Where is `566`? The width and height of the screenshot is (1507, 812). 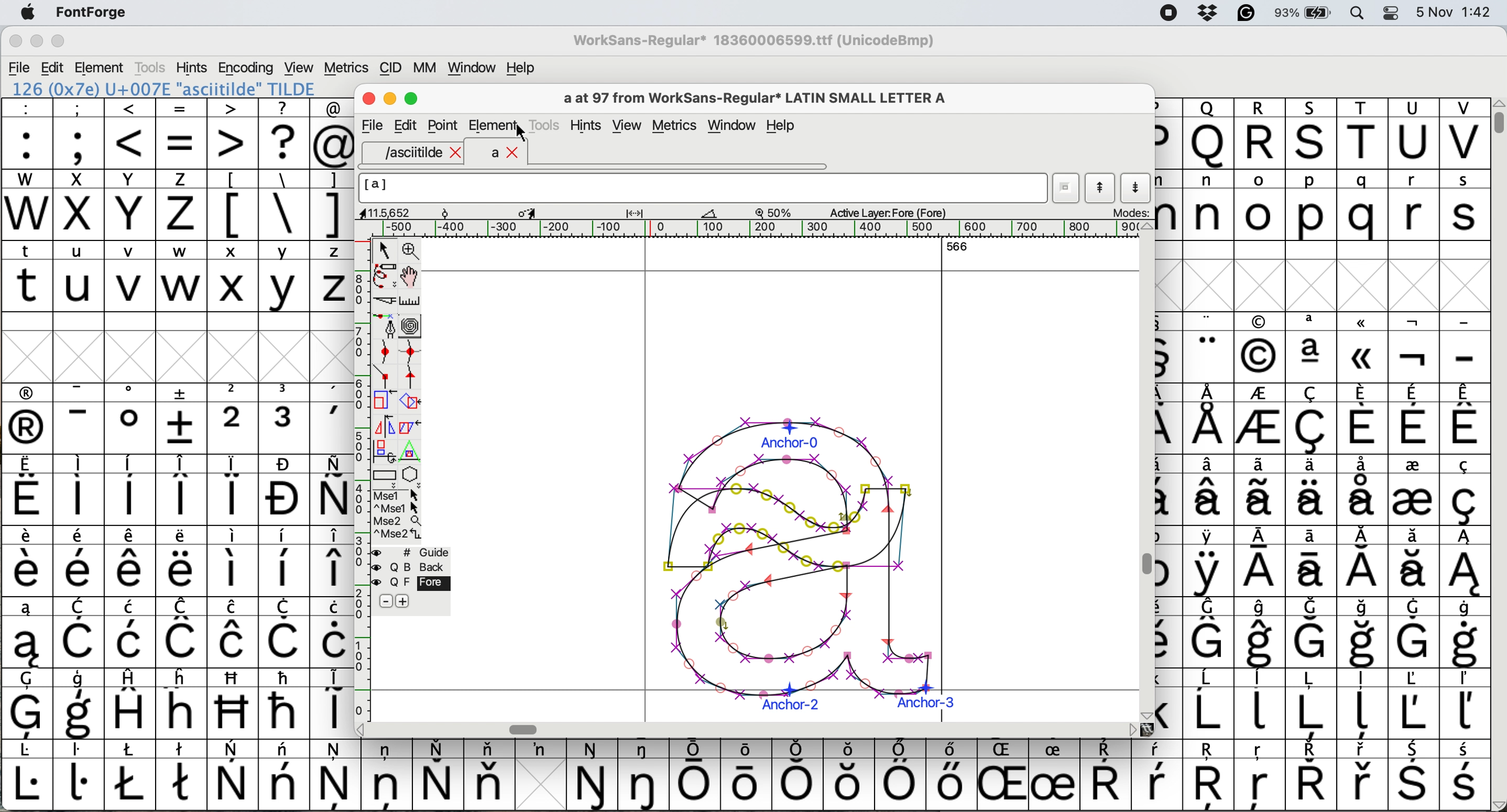 566 is located at coordinates (957, 246).